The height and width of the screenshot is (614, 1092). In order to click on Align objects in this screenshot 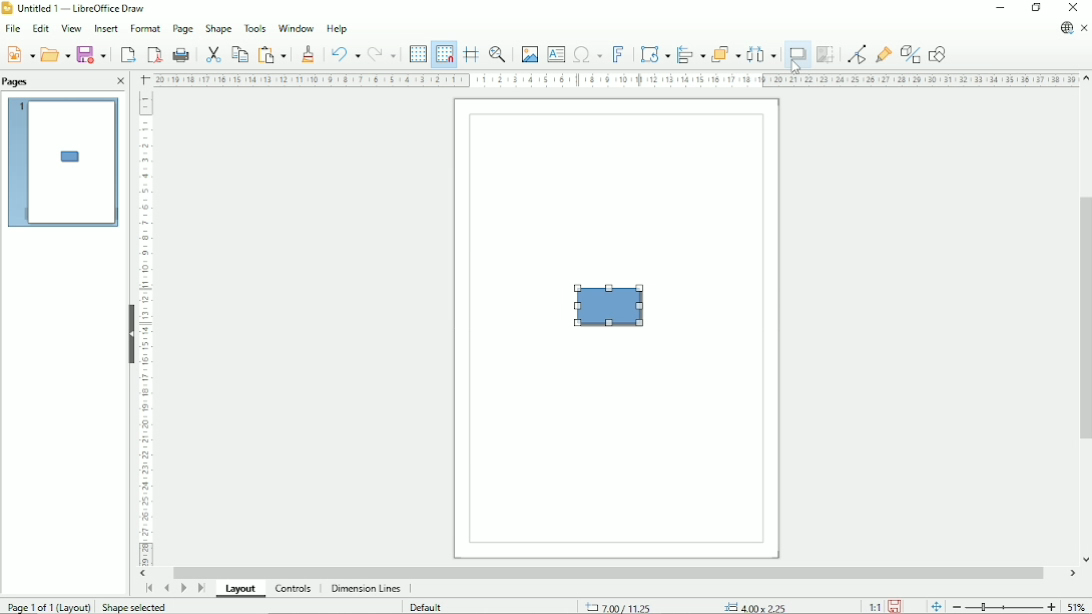, I will do `click(690, 55)`.